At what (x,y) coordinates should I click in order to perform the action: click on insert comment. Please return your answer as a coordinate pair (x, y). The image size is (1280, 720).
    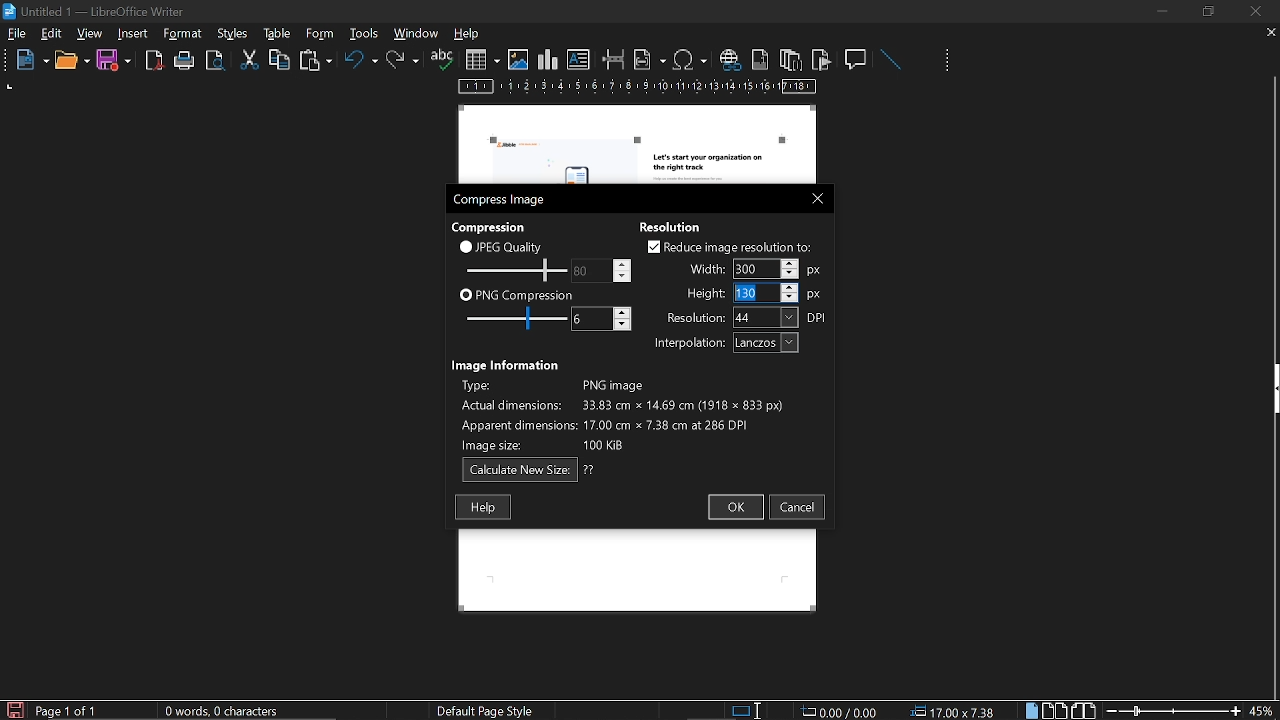
    Looking at the image, I should click on (857, 58).